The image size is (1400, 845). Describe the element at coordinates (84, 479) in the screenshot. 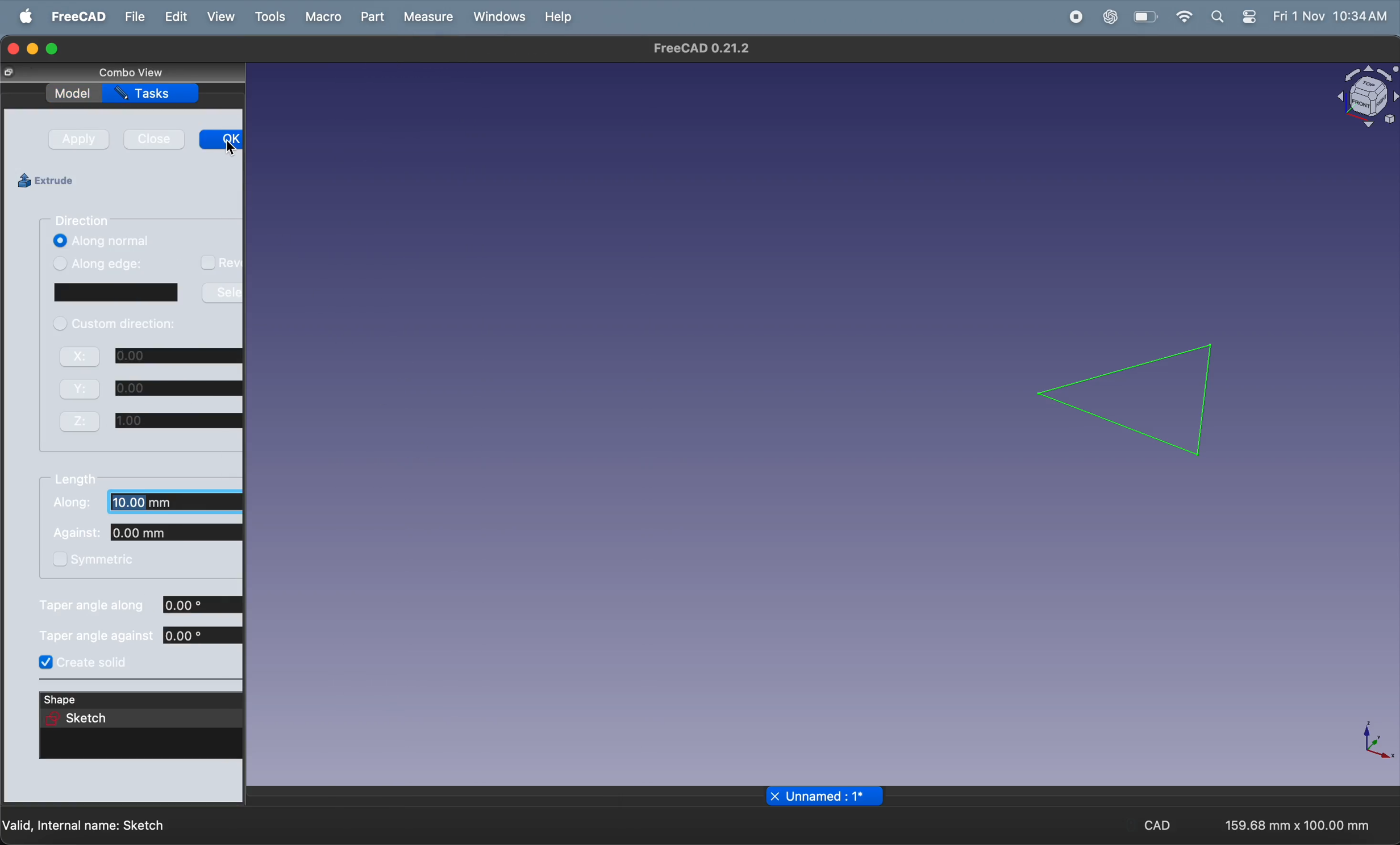

I see `lenghth` at that location.